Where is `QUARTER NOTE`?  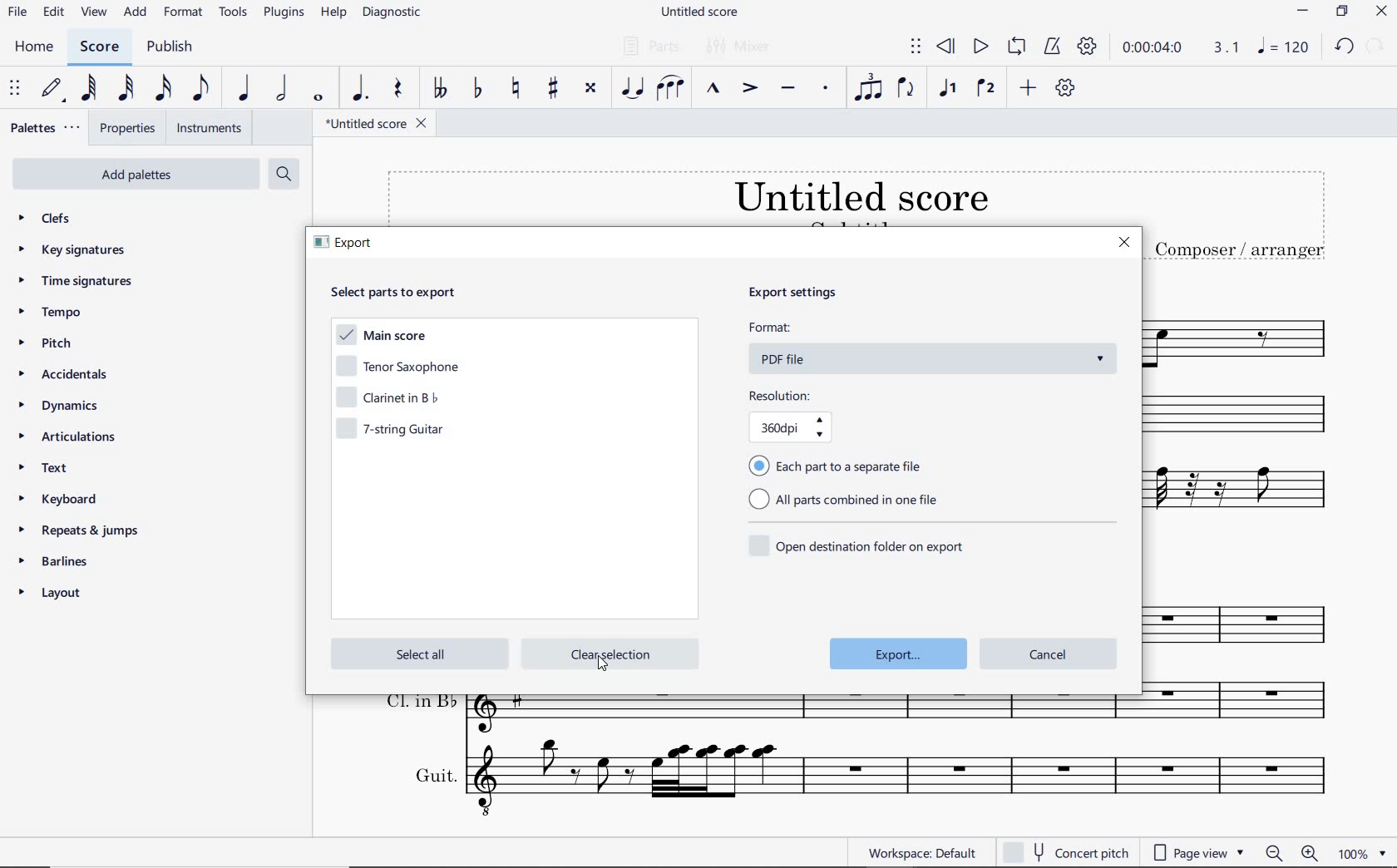 QUARTER NOTE is located at coordinates (244, 89).